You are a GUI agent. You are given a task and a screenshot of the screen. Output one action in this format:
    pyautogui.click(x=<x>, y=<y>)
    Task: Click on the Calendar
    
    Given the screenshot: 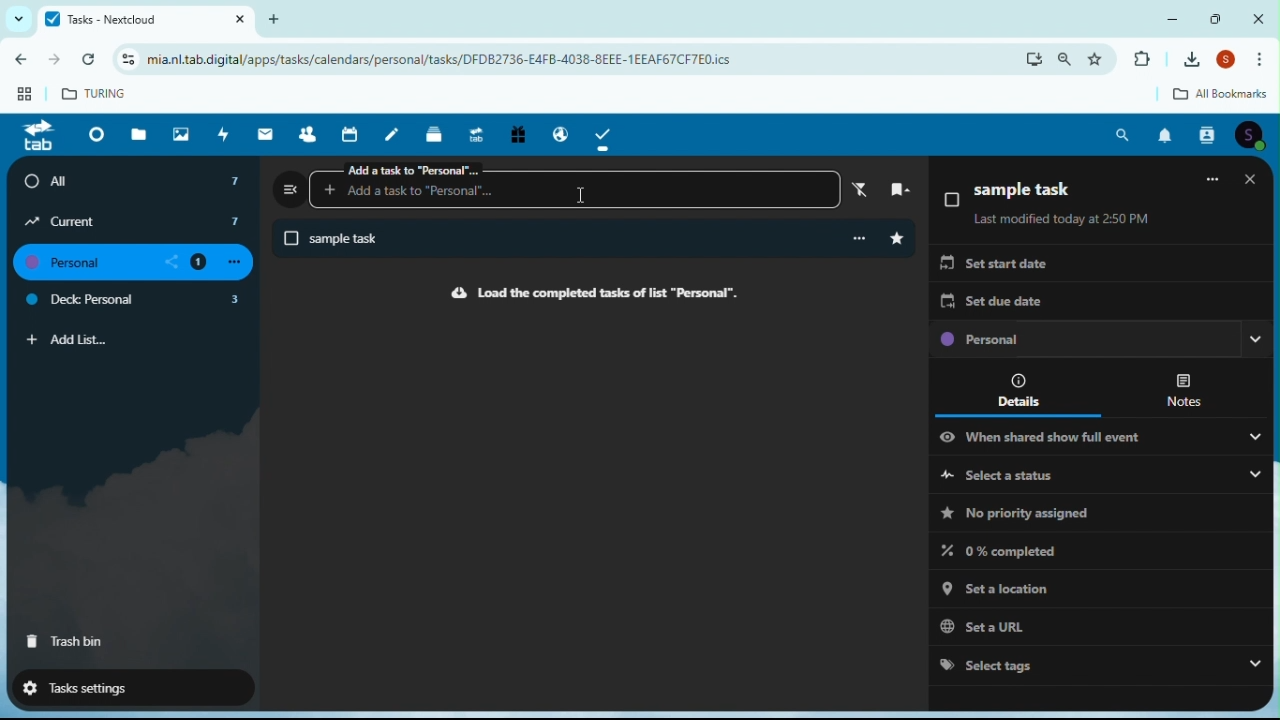 What is the action you would take?
    pyautogui.click(x=353, y=134)
    